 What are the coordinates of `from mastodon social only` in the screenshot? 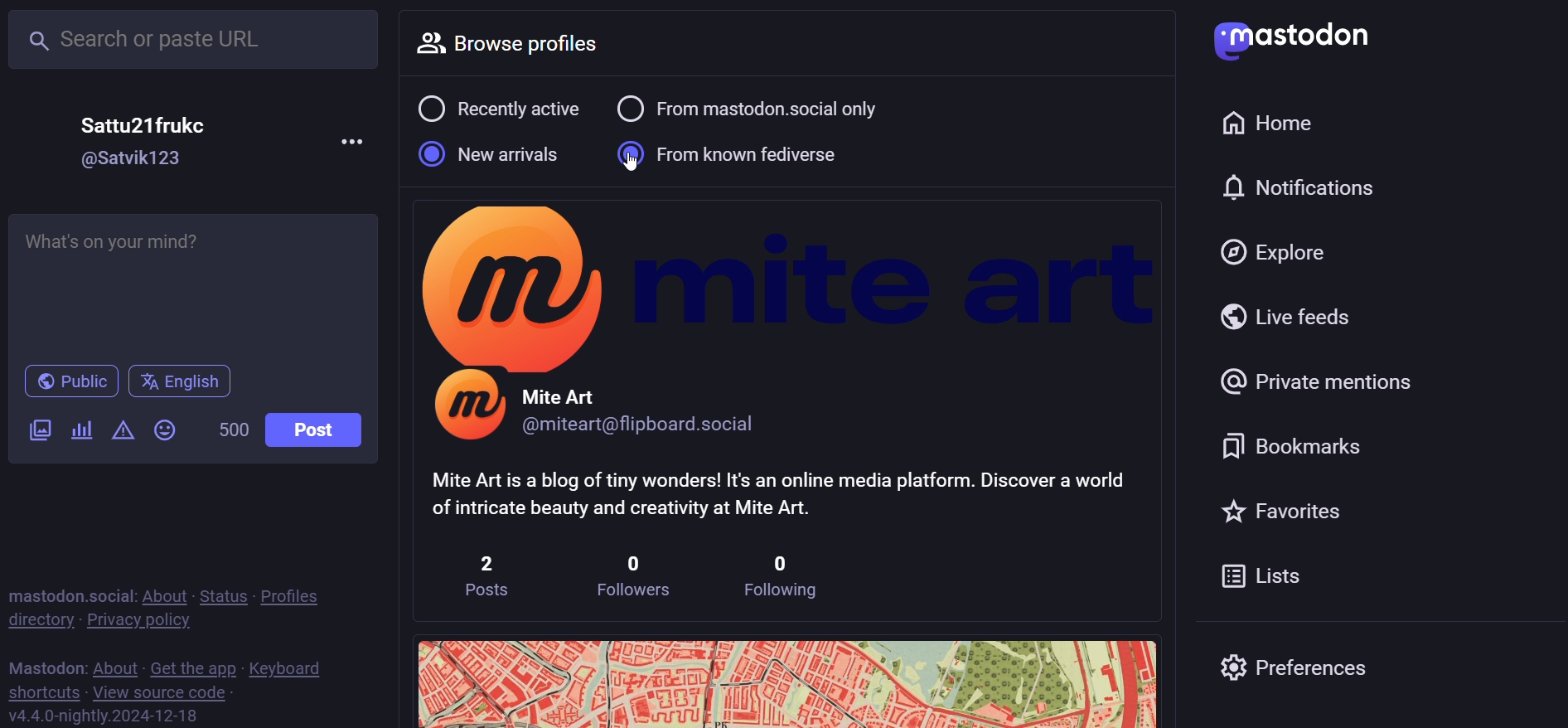 It's located at (767, 108).